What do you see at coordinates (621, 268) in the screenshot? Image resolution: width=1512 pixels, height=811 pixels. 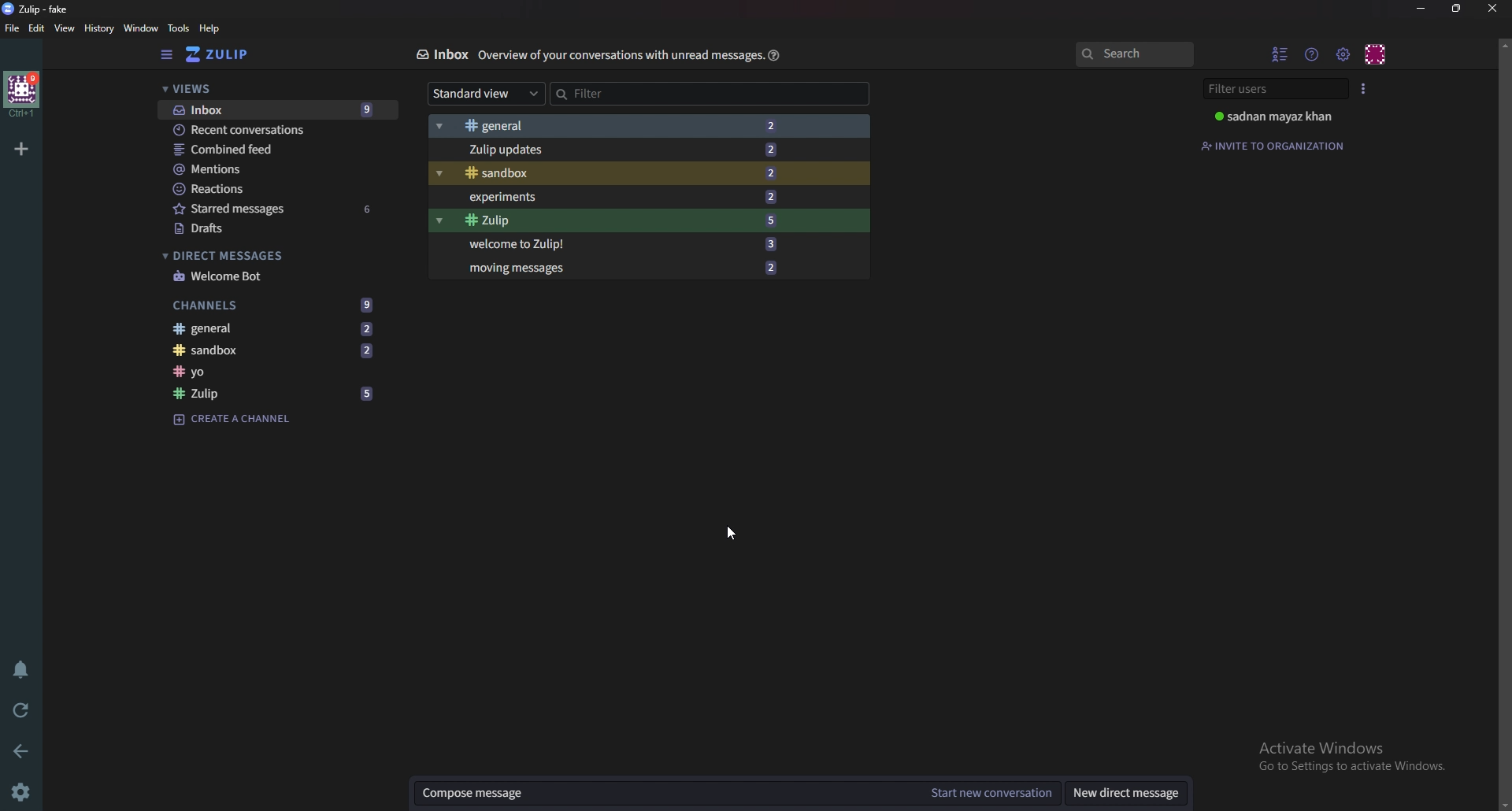 I see `moving messages` at bounding box center [621, 268].